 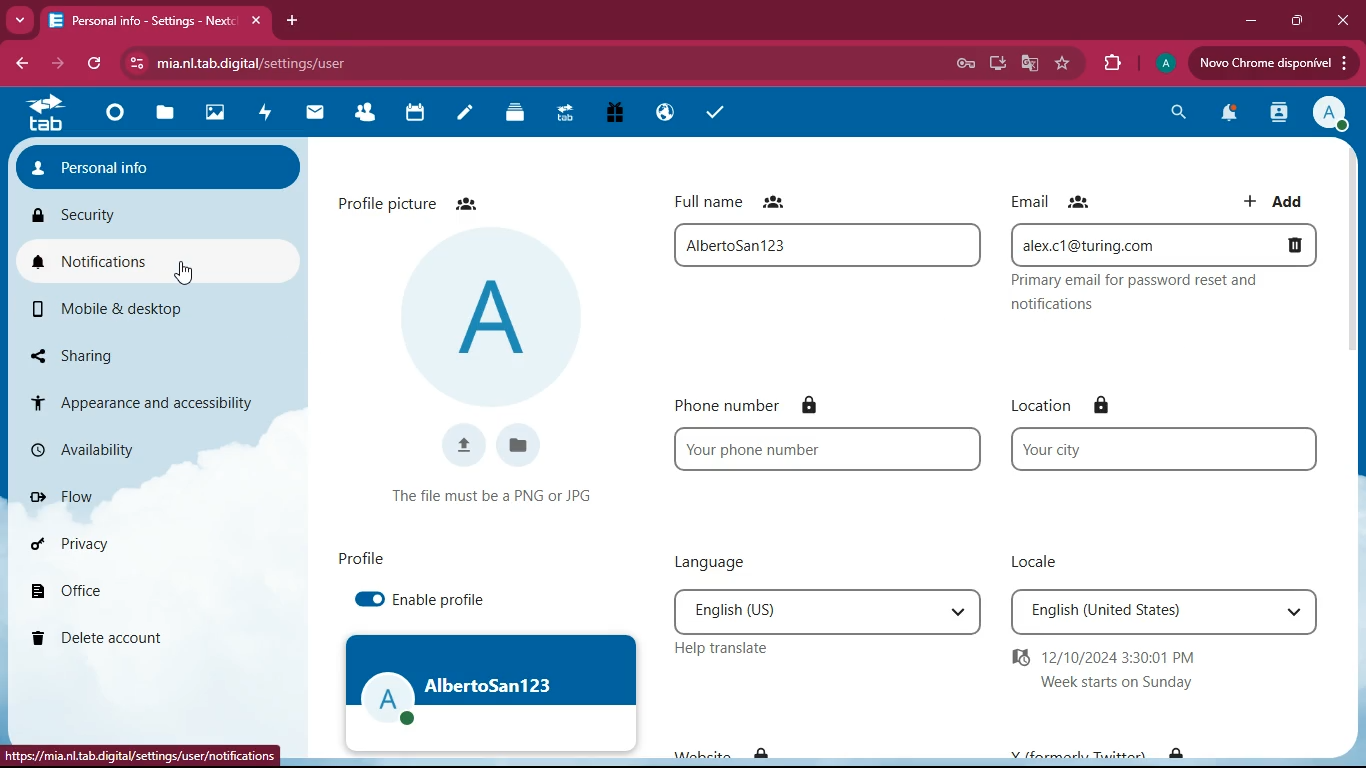 I want to click on friends, so click(x=367, y=114).